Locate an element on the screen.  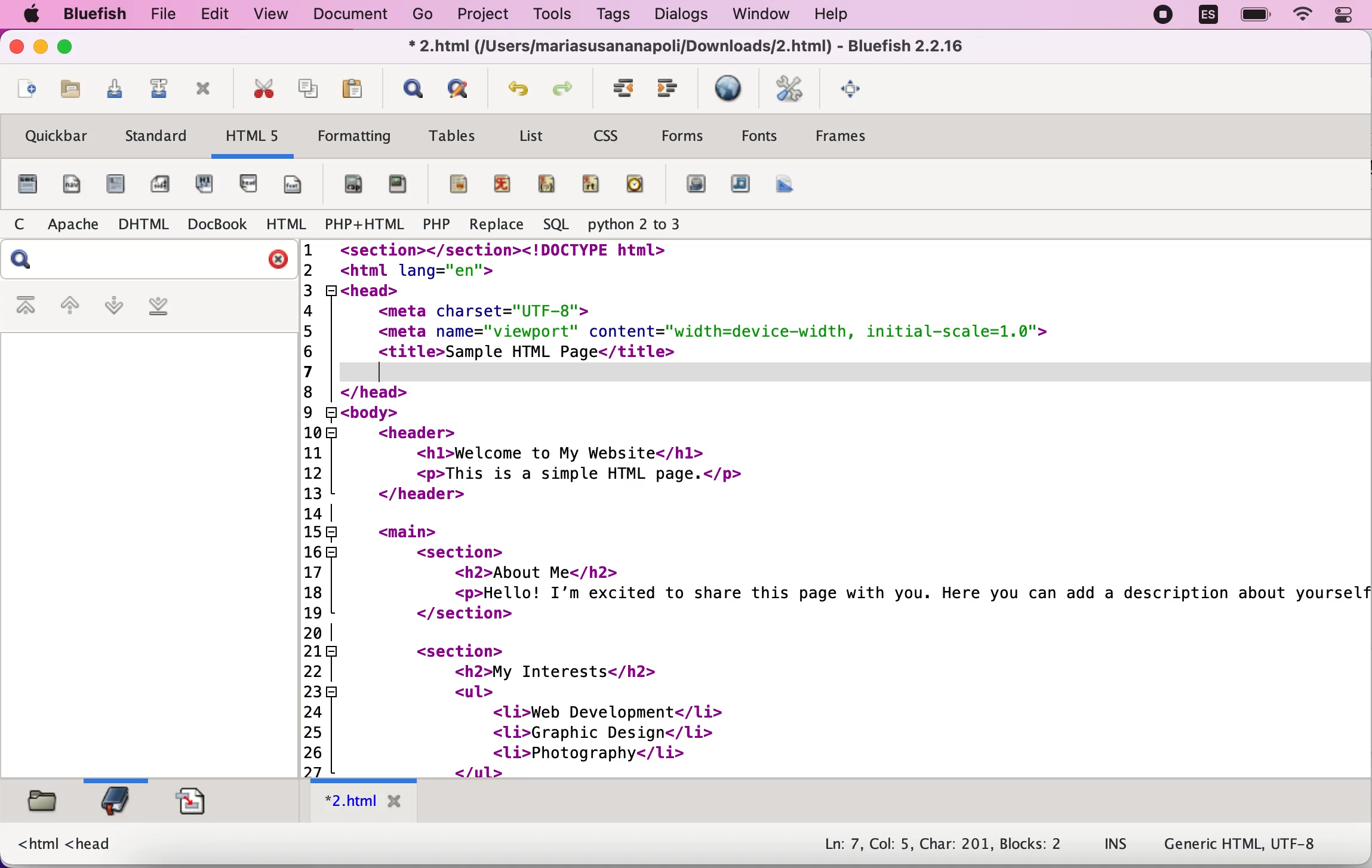
scroll bar is located at coordinates (750, 772).